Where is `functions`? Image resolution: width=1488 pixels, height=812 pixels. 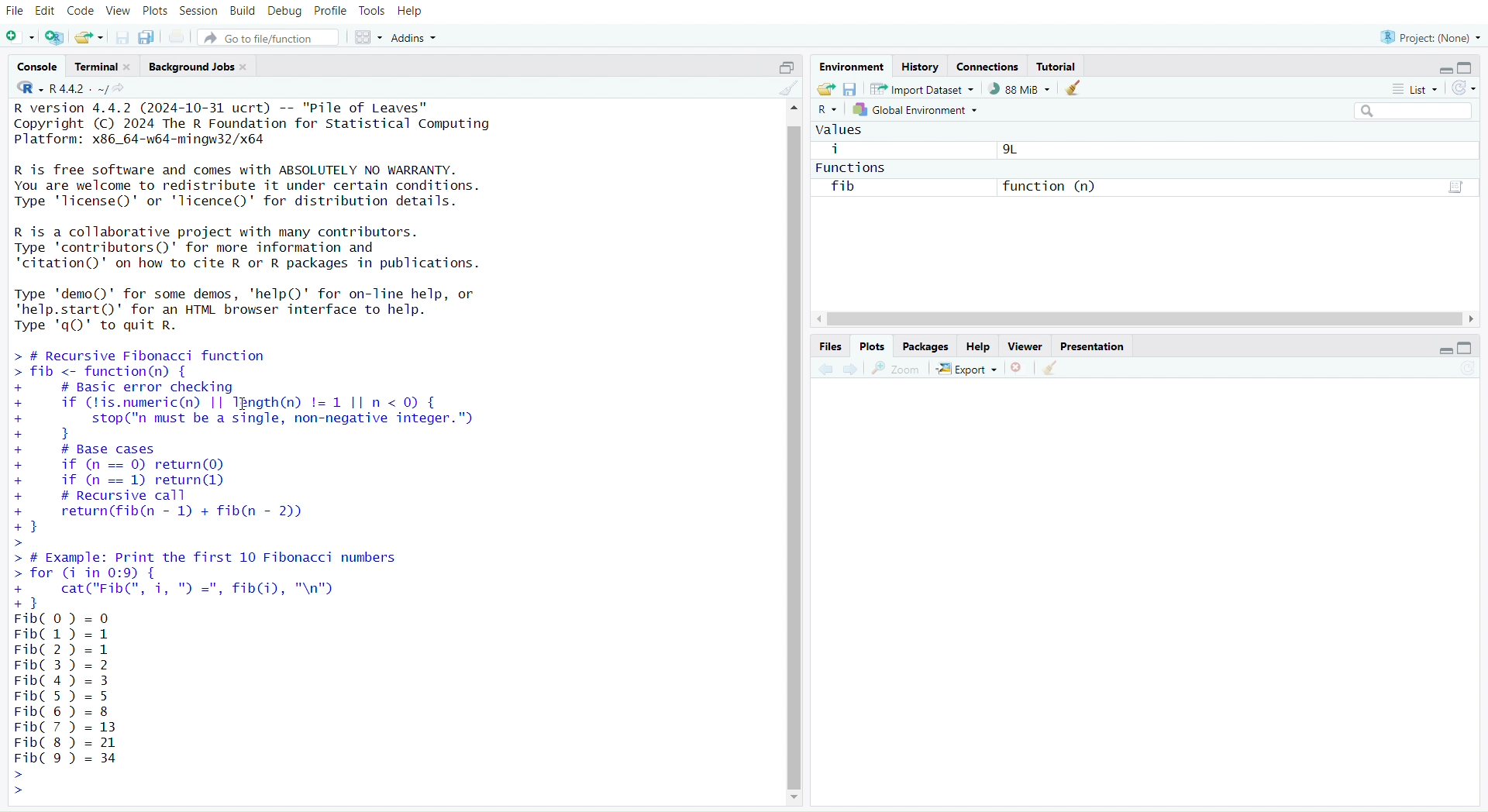 functions is located at coordinates (853, 168).